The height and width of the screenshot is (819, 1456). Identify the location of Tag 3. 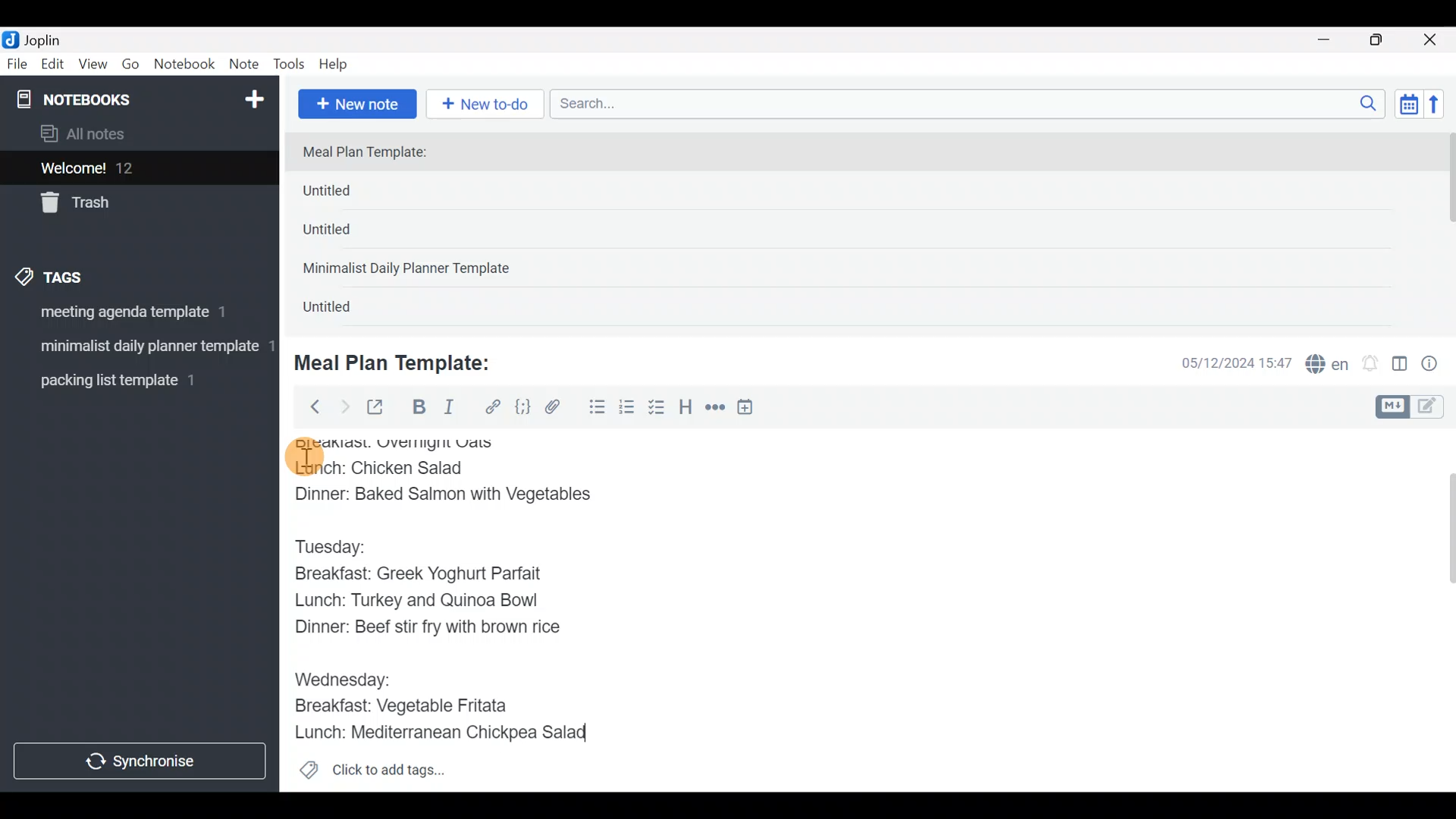
(134, 380).